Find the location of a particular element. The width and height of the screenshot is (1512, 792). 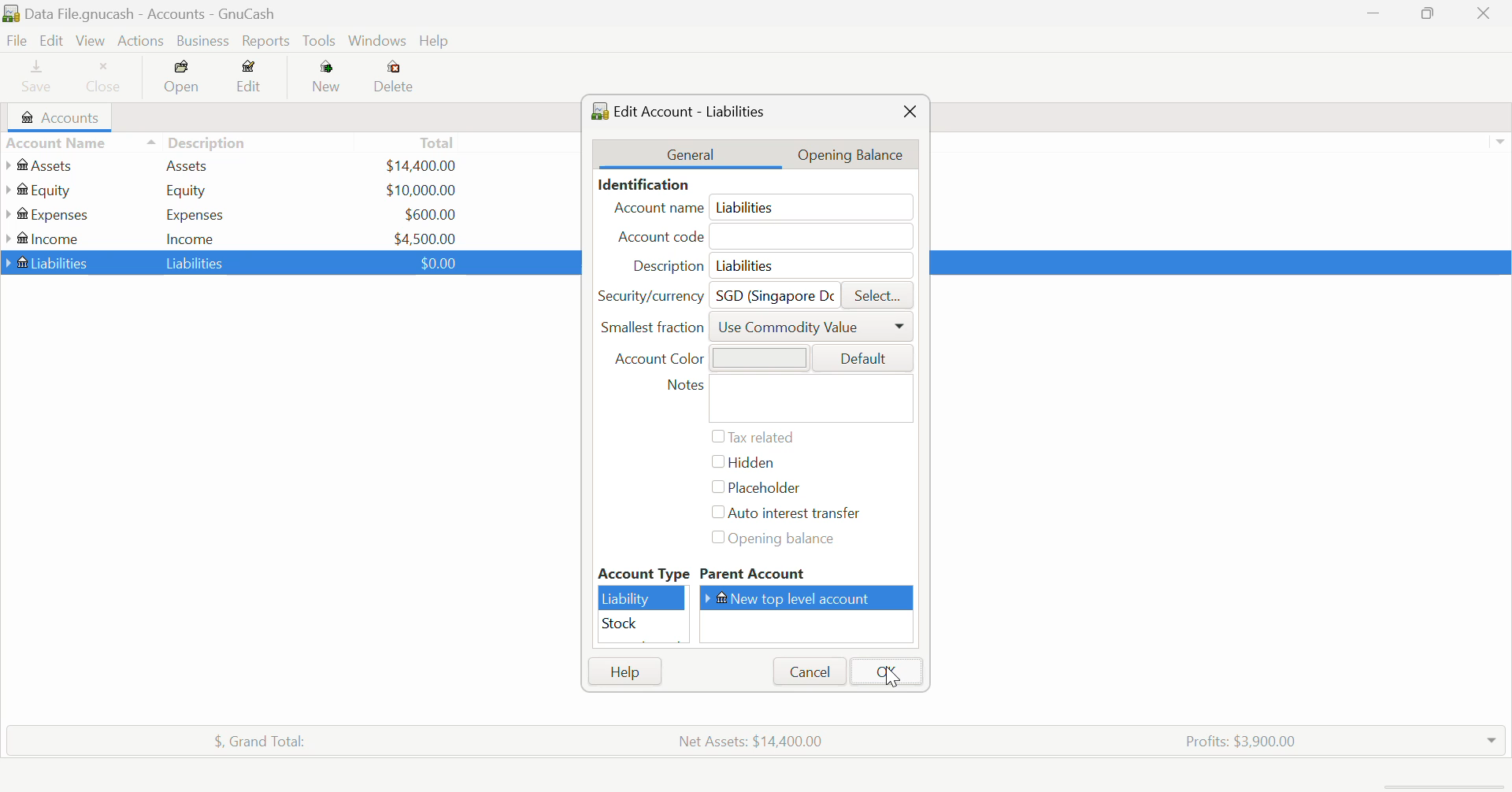

USD is located at coordinates (434, 262).